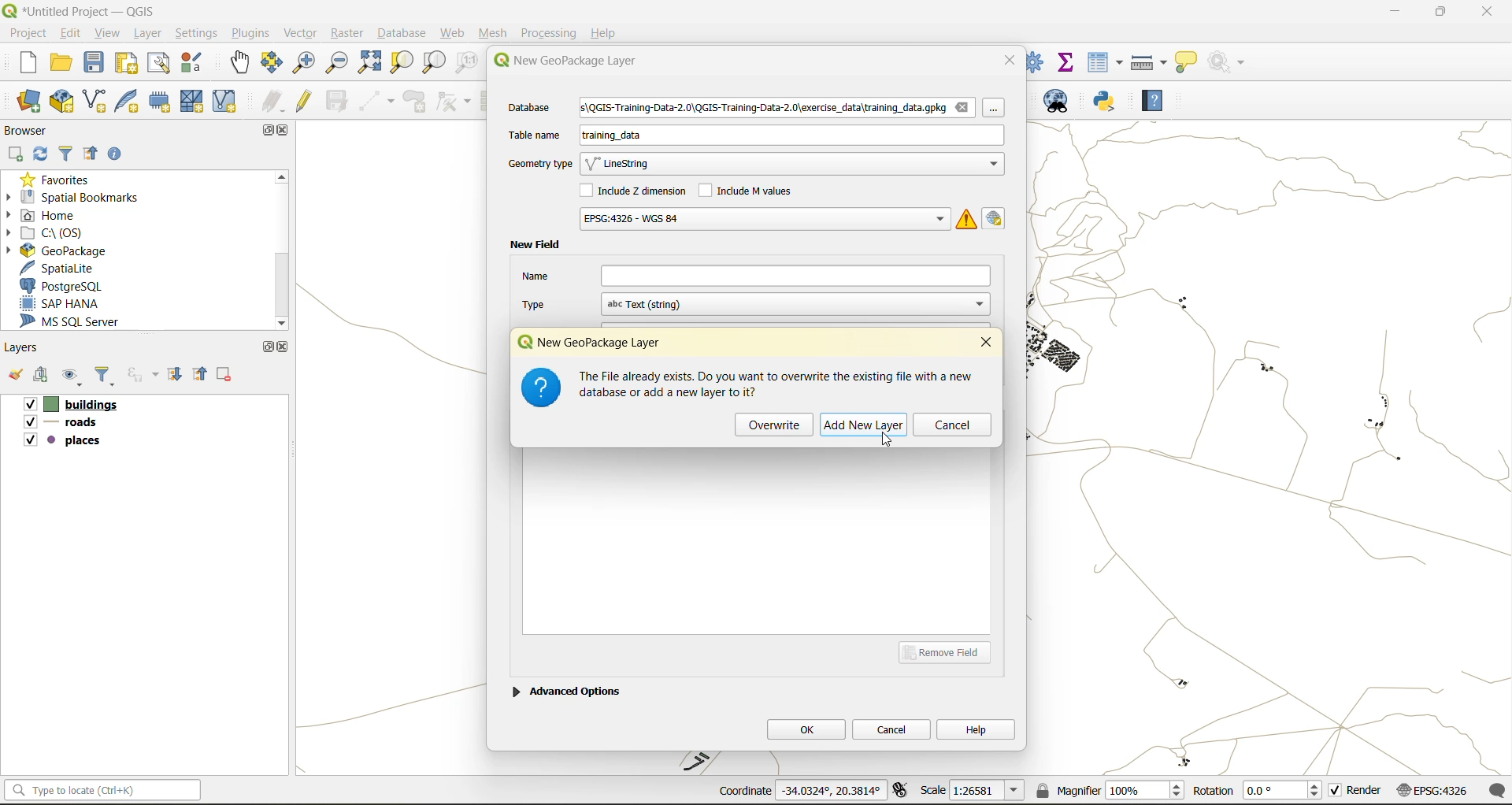  Describe the element at coordinates (20, 65) in the screenshot. I see `new` at that location.